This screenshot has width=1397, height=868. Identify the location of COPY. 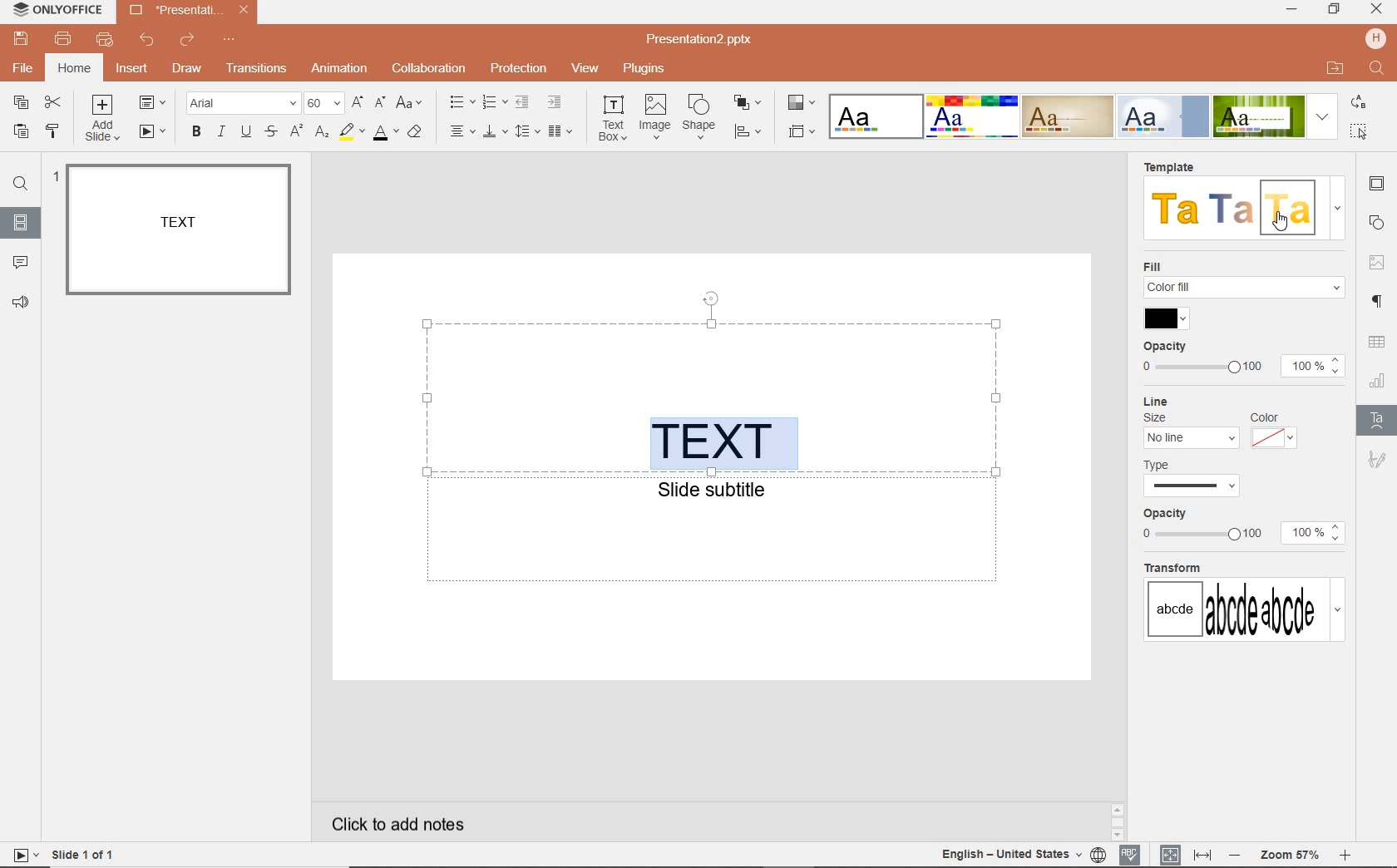
(22, 104).